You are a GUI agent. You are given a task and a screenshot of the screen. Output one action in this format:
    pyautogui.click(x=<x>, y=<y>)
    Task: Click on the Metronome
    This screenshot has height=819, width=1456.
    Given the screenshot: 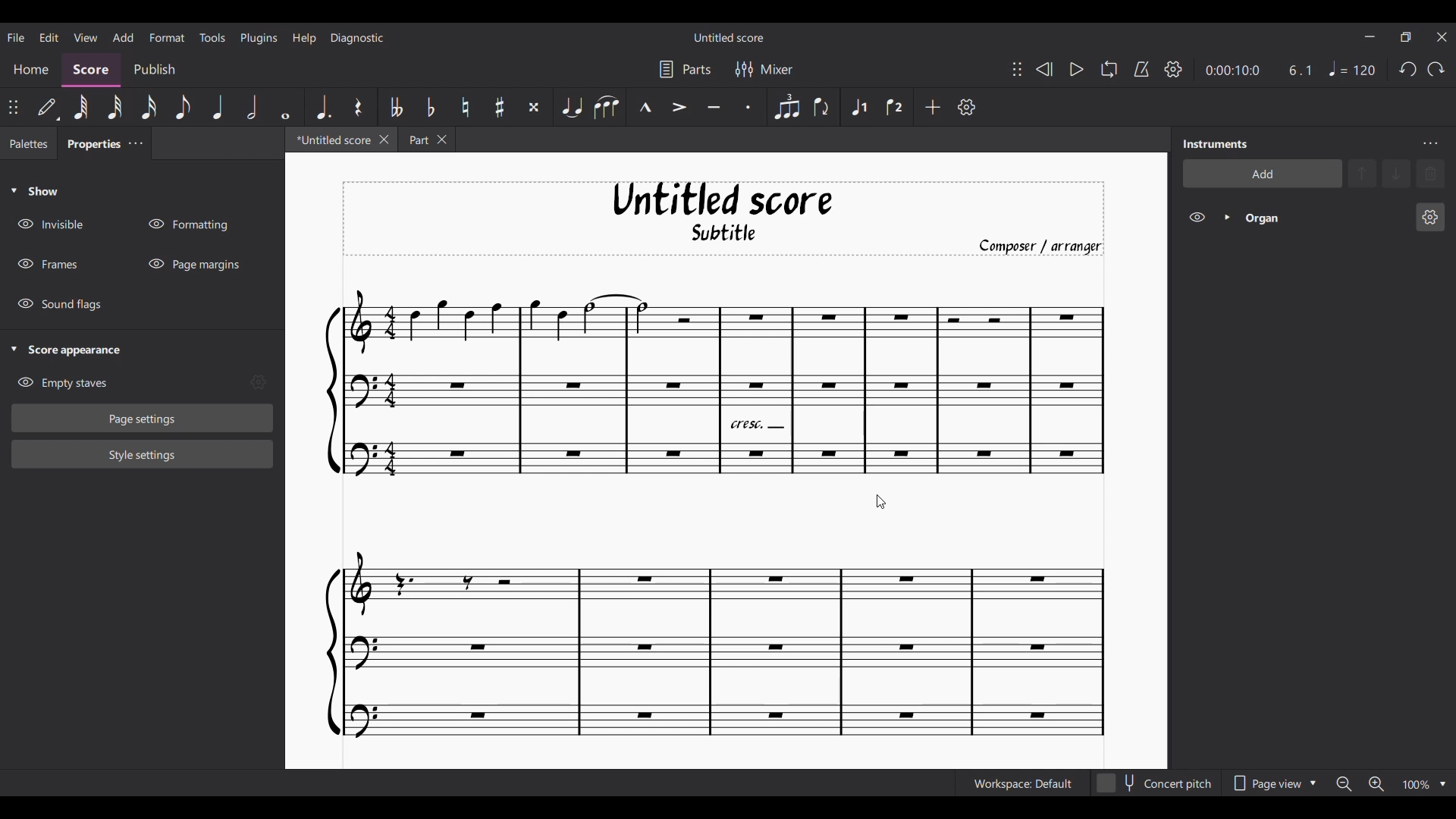 What is the action you would take?
    pyautogui.click(x=1141, y=70)
    